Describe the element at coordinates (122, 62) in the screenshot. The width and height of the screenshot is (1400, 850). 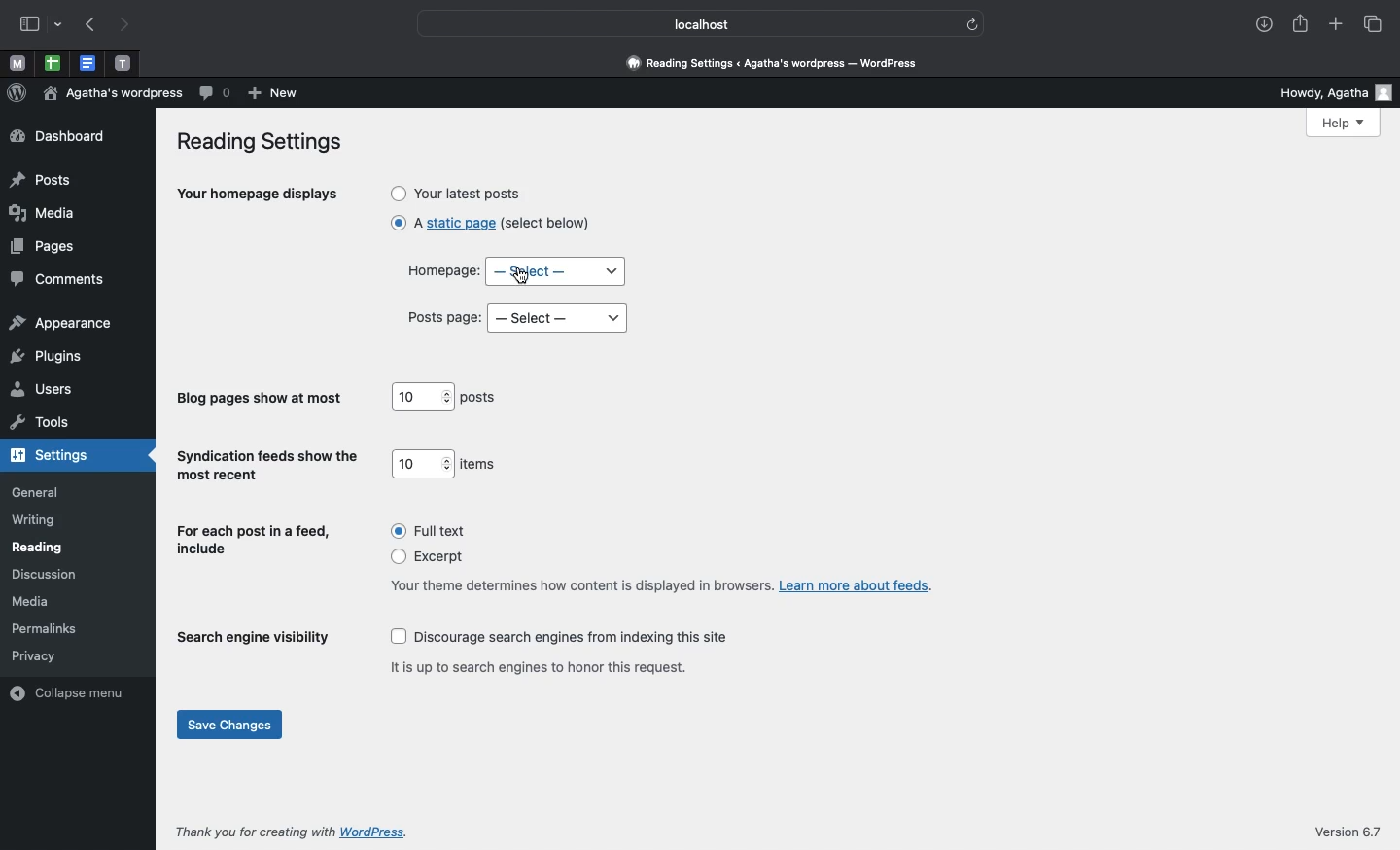
I see `Pinned tabs` at that location.